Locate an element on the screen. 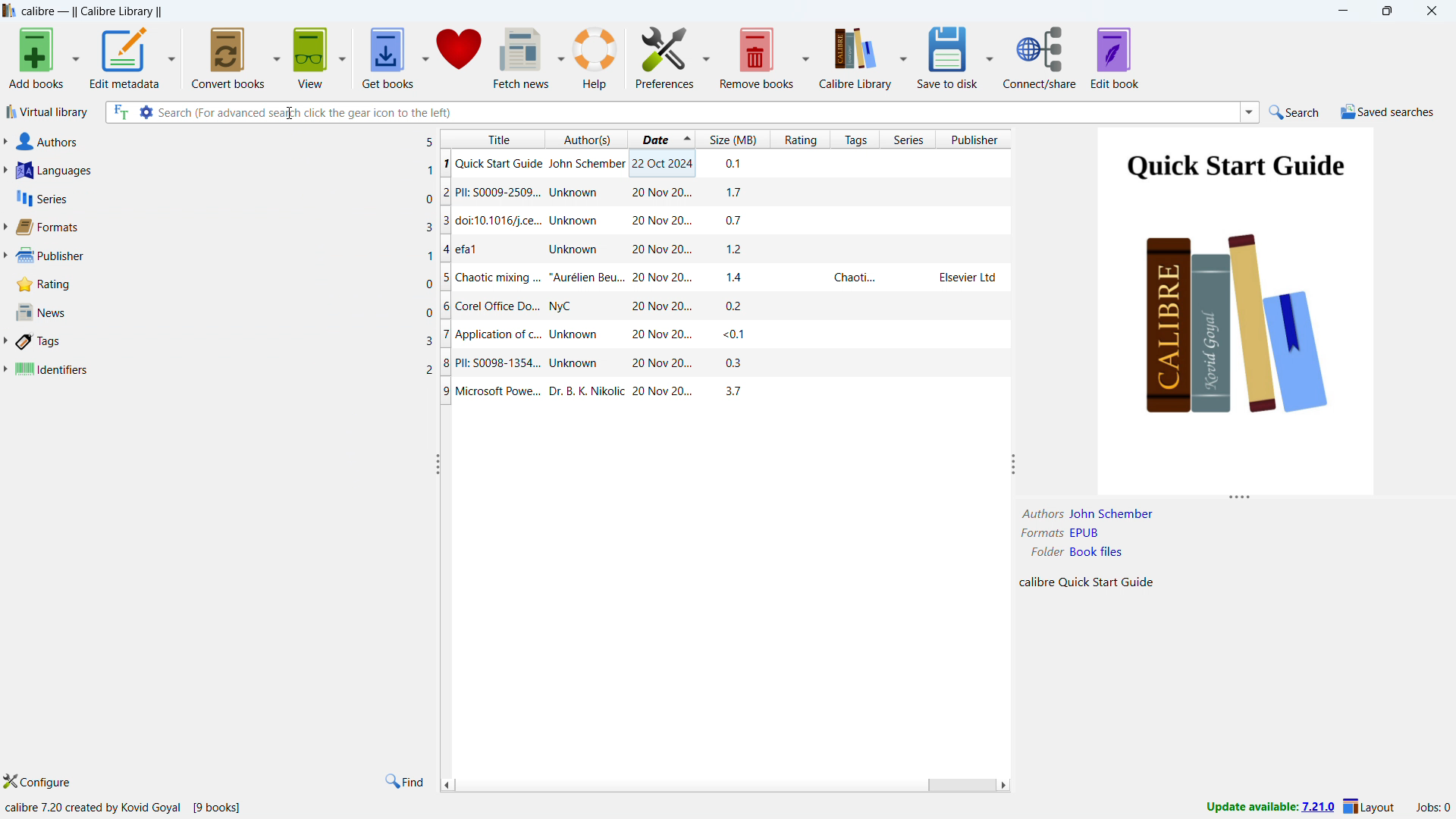  resize is located at coordinates (1013, 465).